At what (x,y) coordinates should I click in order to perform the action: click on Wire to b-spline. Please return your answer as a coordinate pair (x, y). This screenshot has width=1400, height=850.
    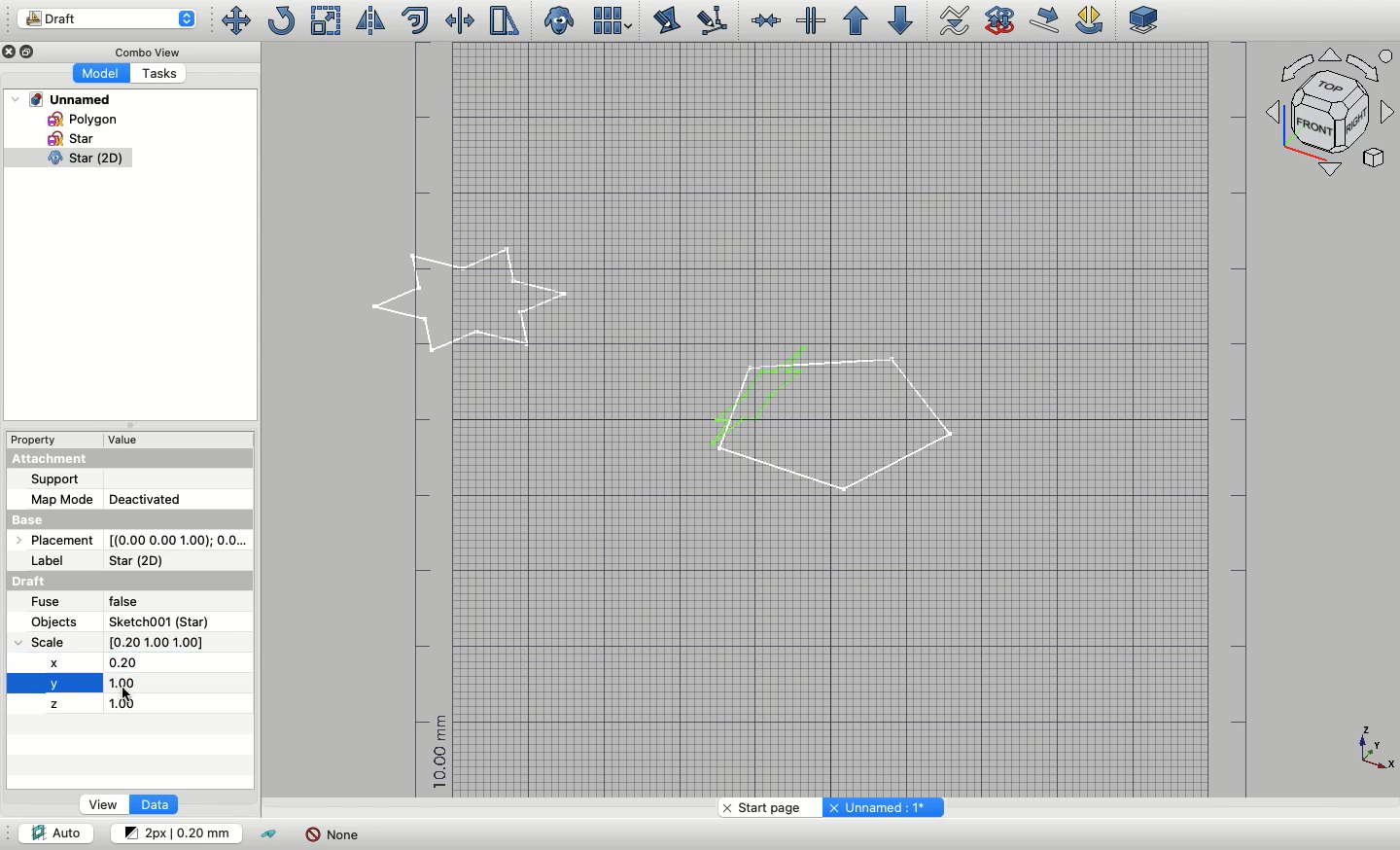
    Looking at the image, I should click on (949, 21).